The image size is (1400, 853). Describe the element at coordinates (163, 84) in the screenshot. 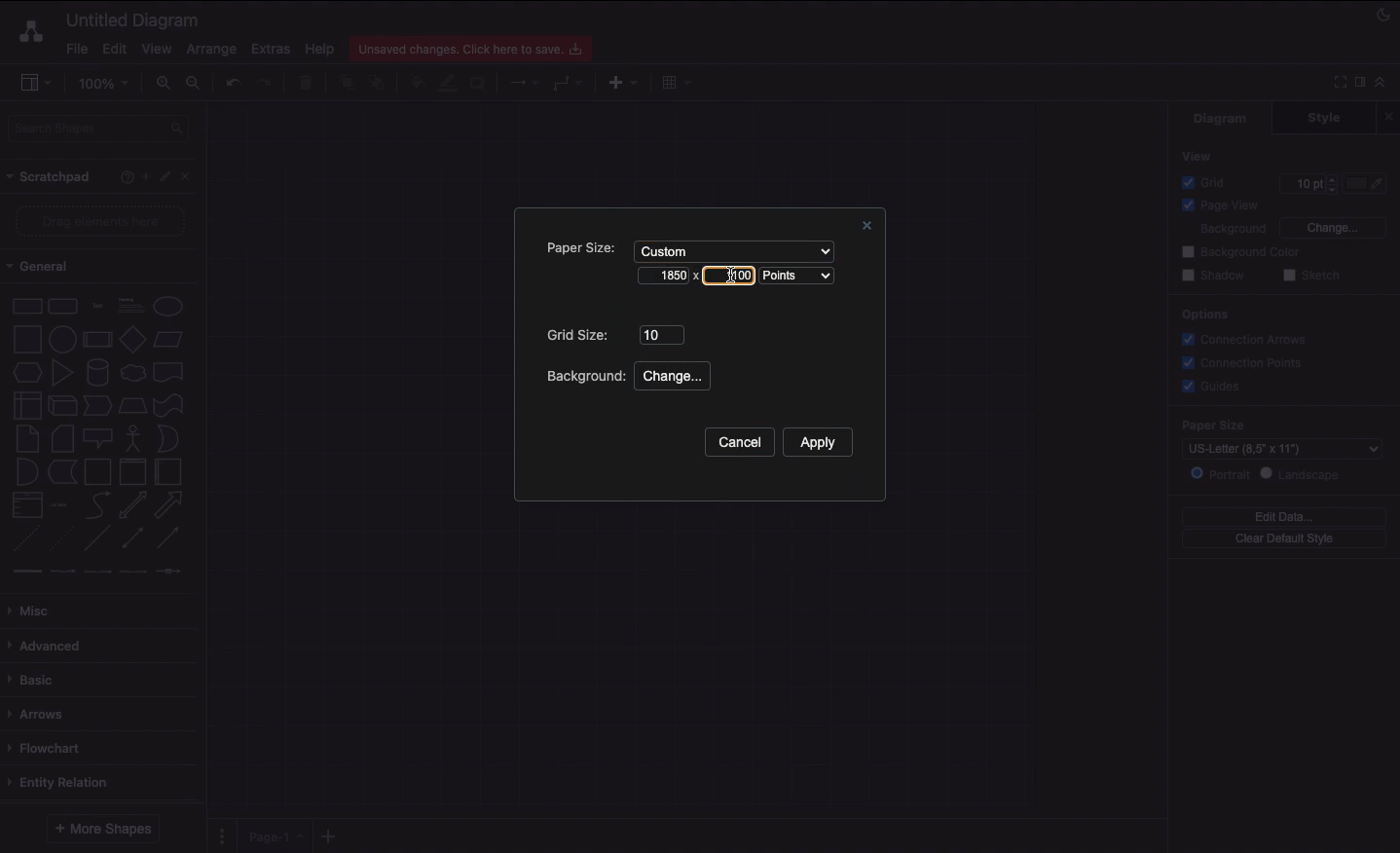

I see `Zoom in` at that location.